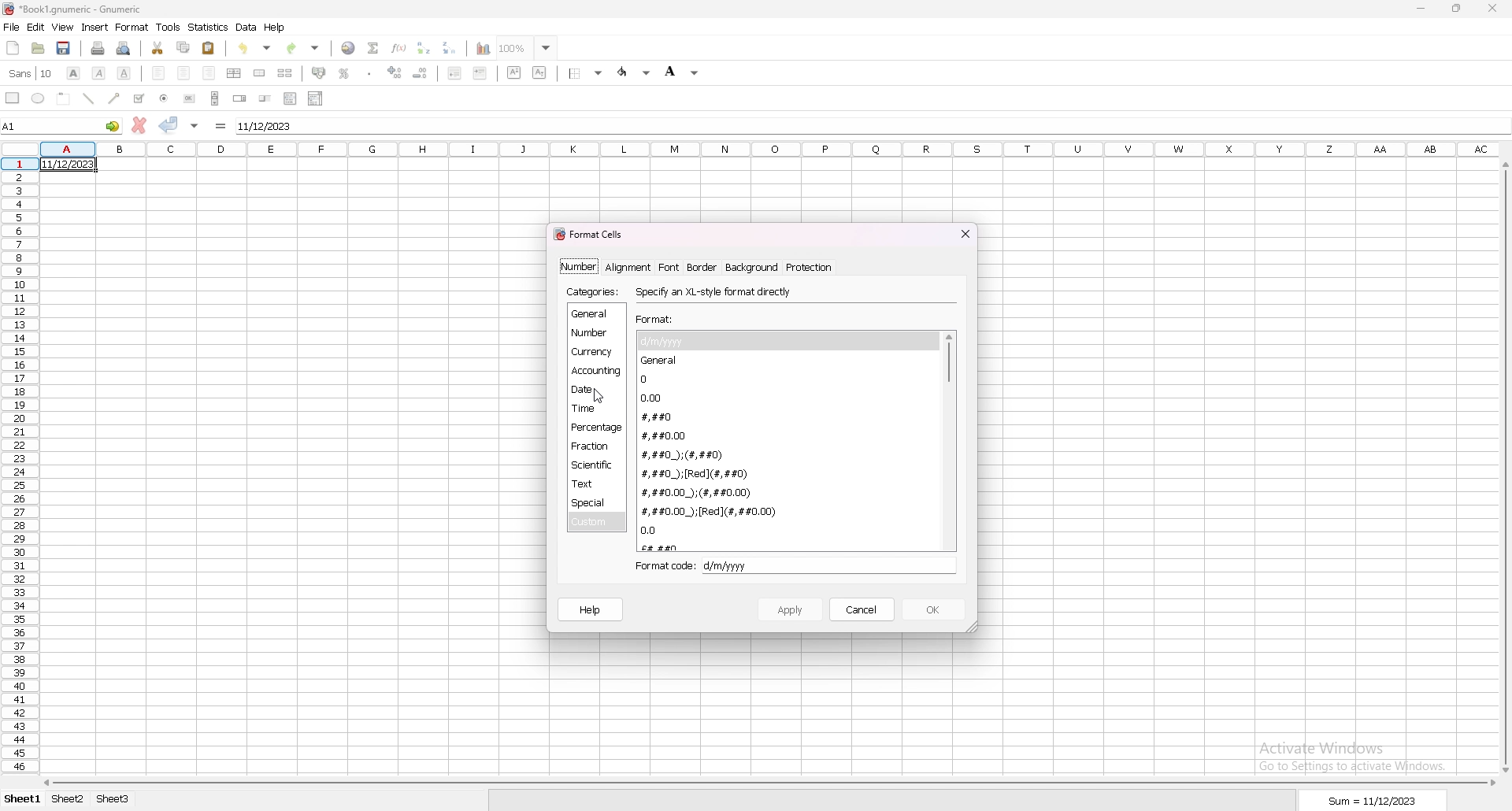 This screenshot has height=811, width=1512. Describe the element at coordinates (635, 72) in the screenshot. I see `foreground` at that location.